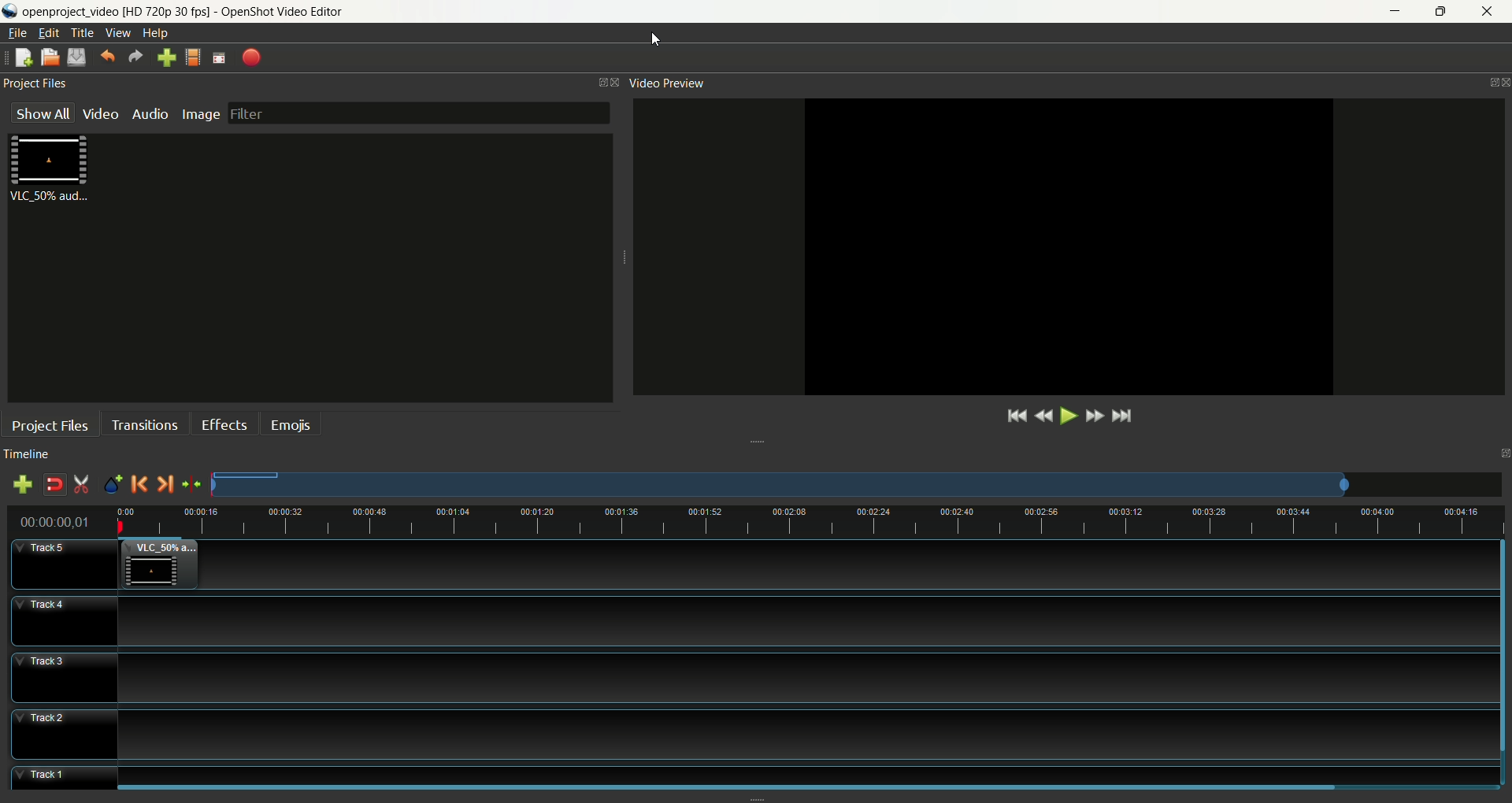  Describe the element at coordinates (35, 82) in the screenshot. I see `project files` at that location.